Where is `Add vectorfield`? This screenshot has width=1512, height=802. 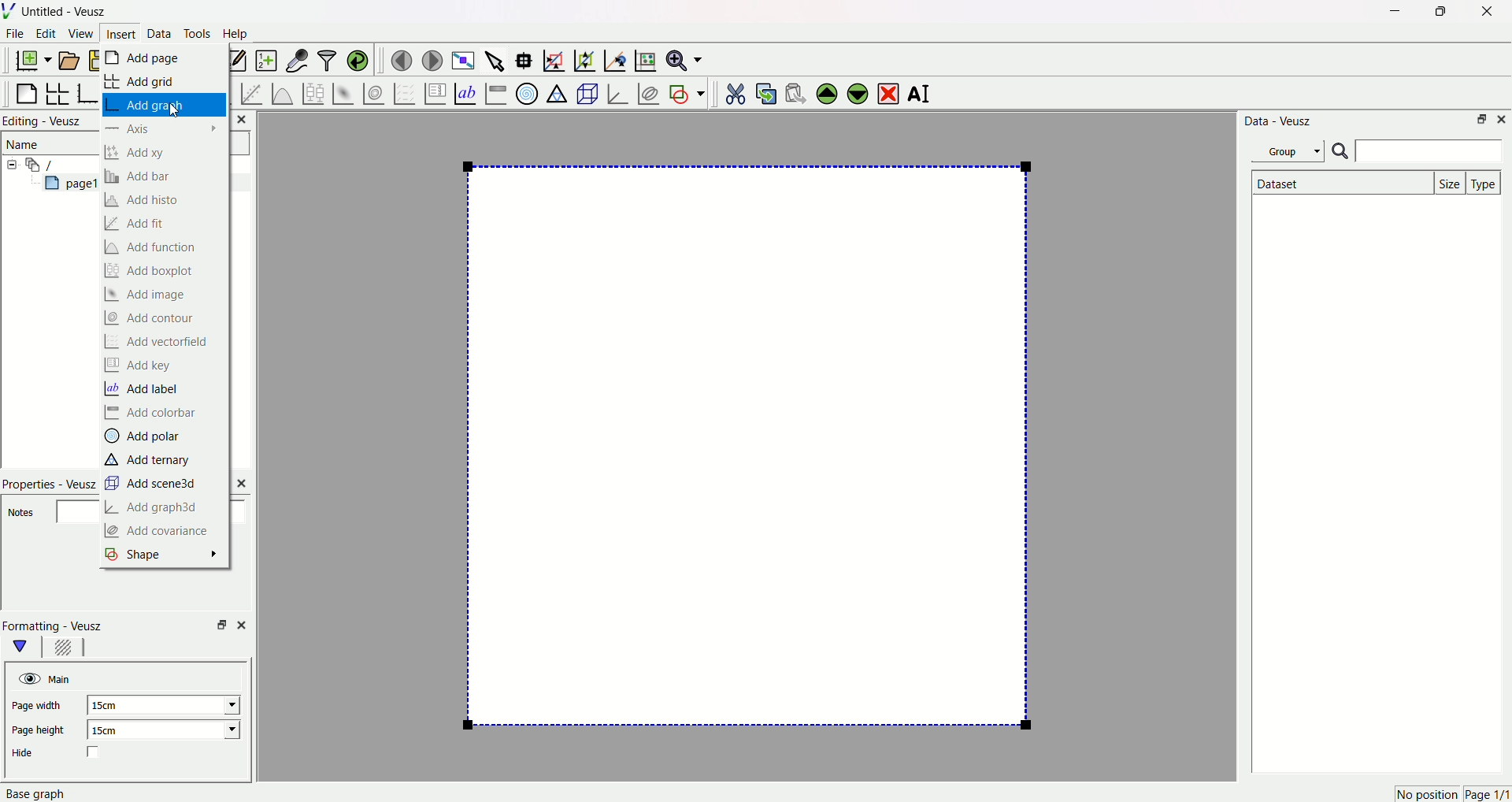
Add vectorfield is located at coordinates (161, 343).